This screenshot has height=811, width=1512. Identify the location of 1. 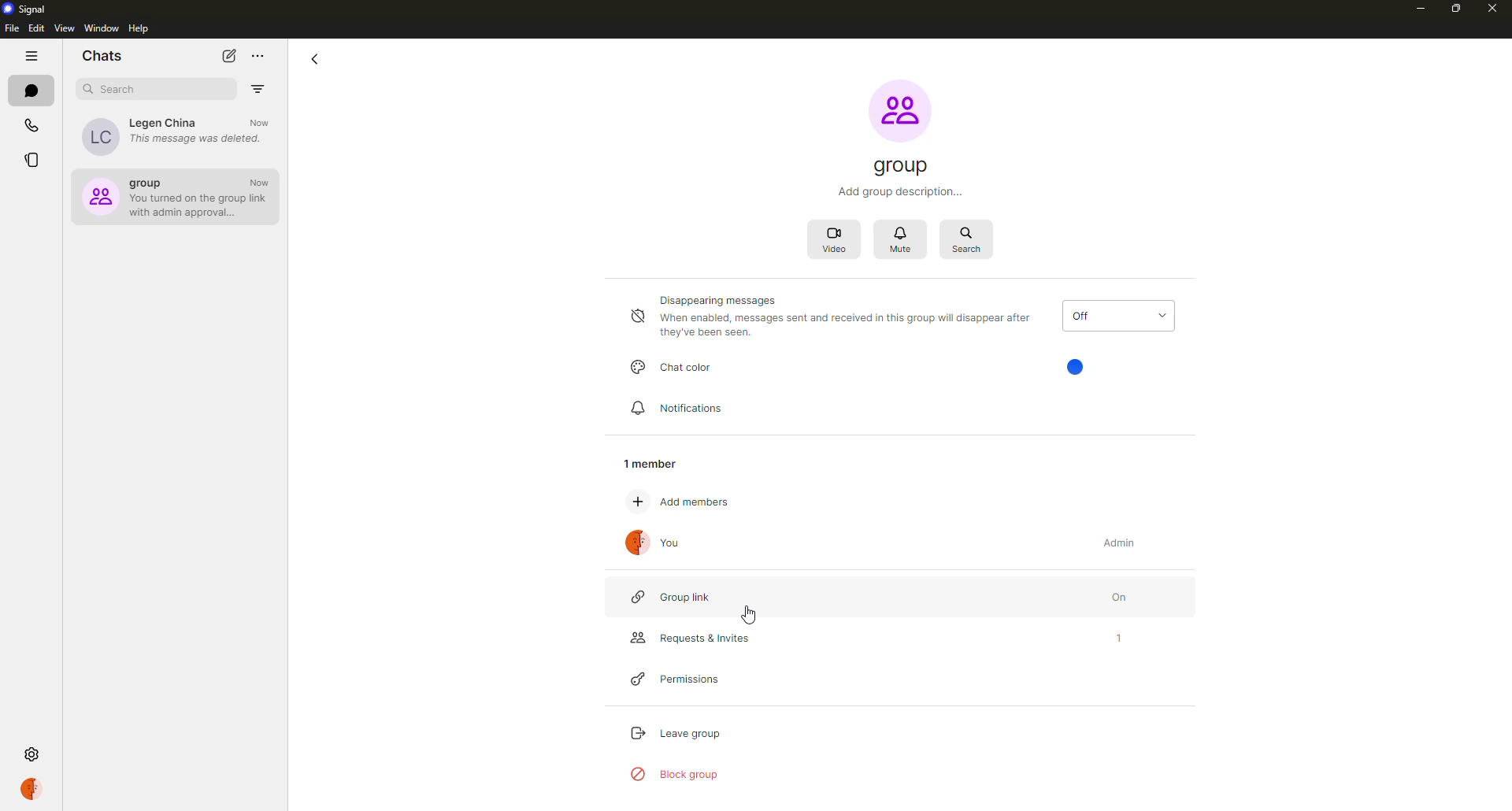
(1103, 639).